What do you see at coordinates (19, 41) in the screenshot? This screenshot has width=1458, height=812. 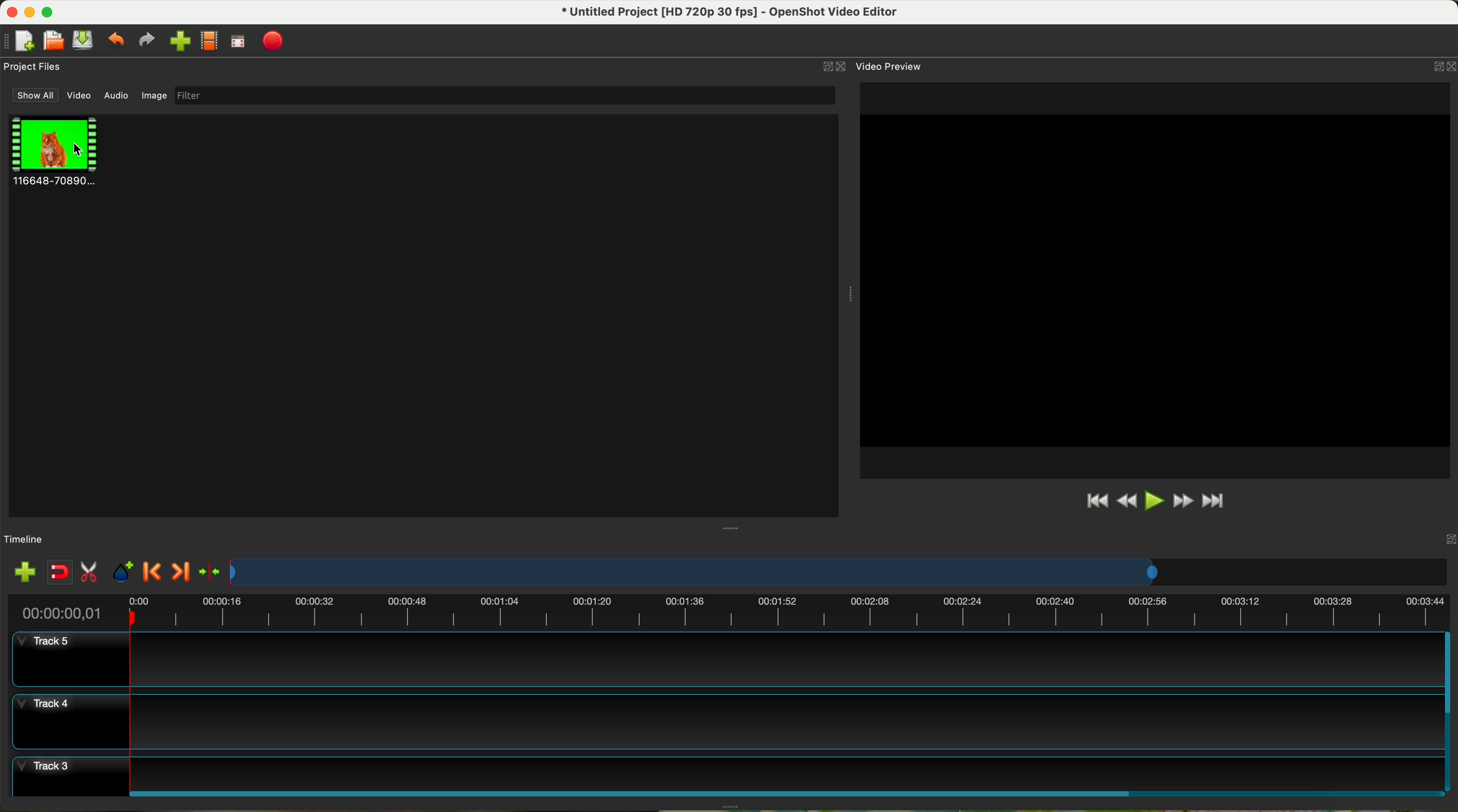 I see `new project` at bounding box center [19, 41].